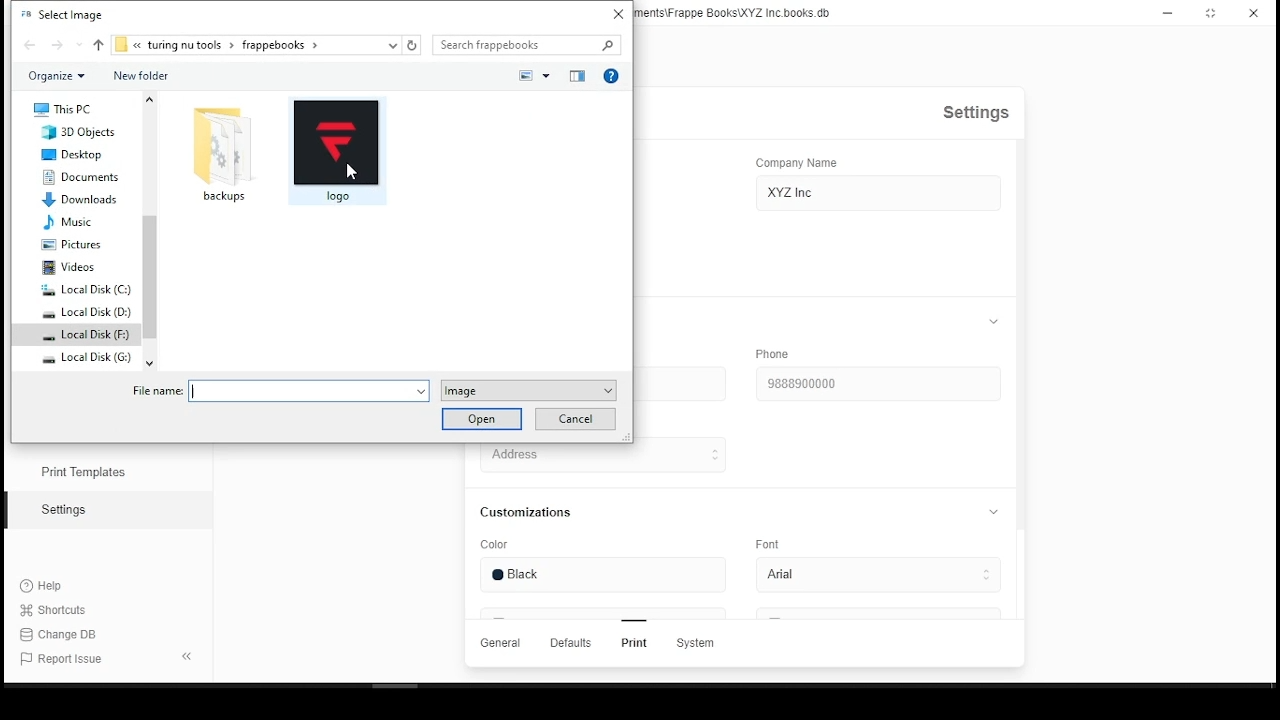 The height and width of the screenshot is (720, 1280). I want to click on Maximize, so click(1213, 14).